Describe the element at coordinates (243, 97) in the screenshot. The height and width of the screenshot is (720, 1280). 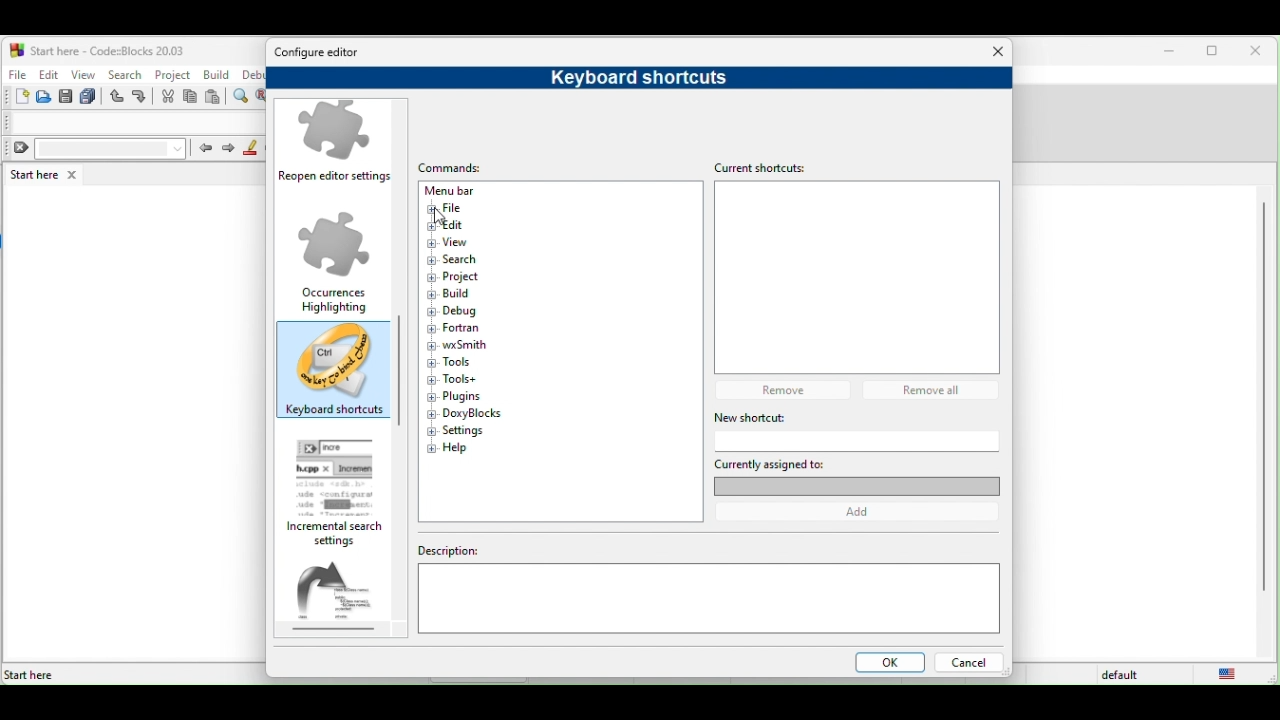
I see `find ` at that location.